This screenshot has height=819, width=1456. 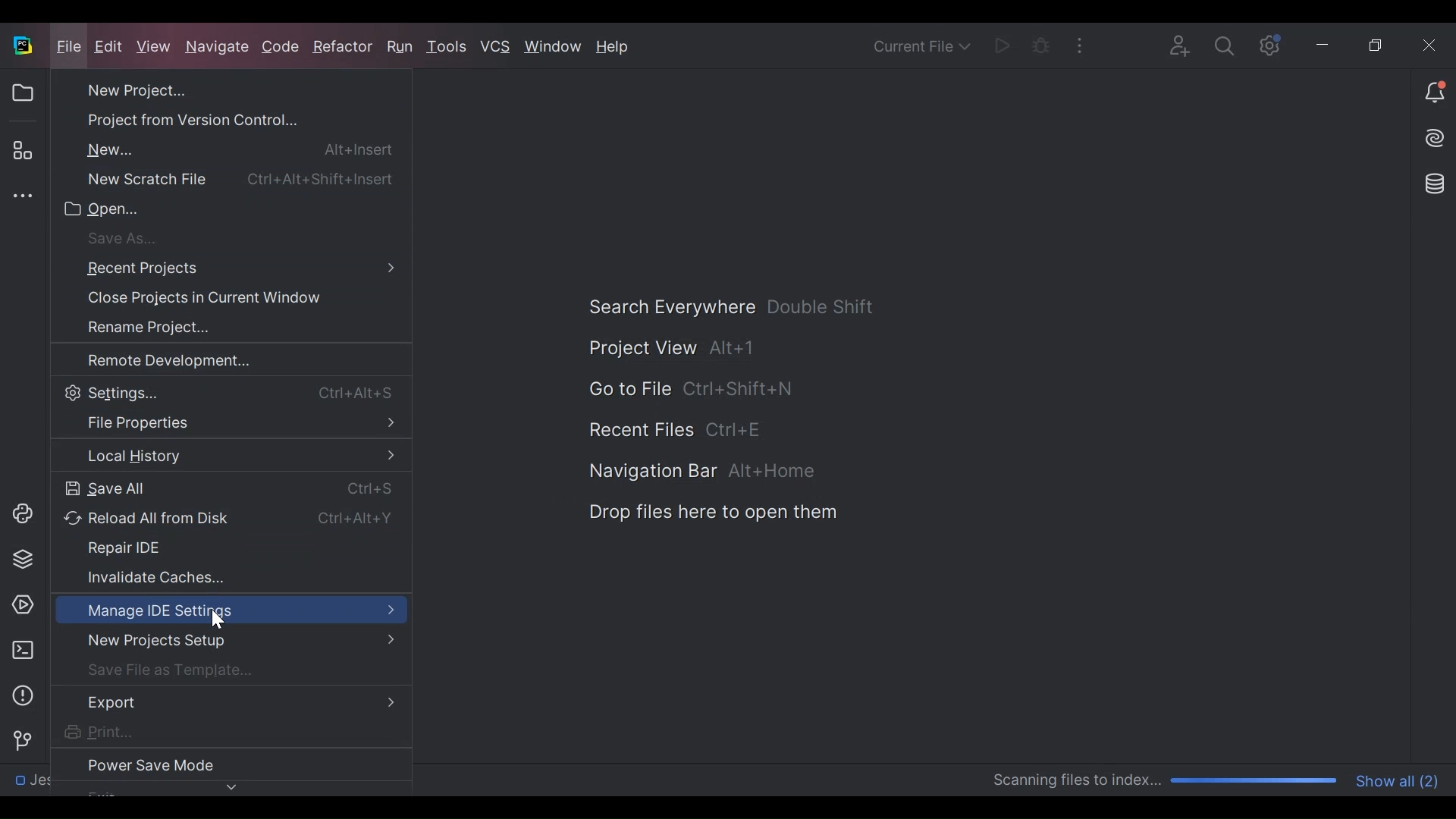 I want to click on Drag files here to open them, so click(x=711, y=512).